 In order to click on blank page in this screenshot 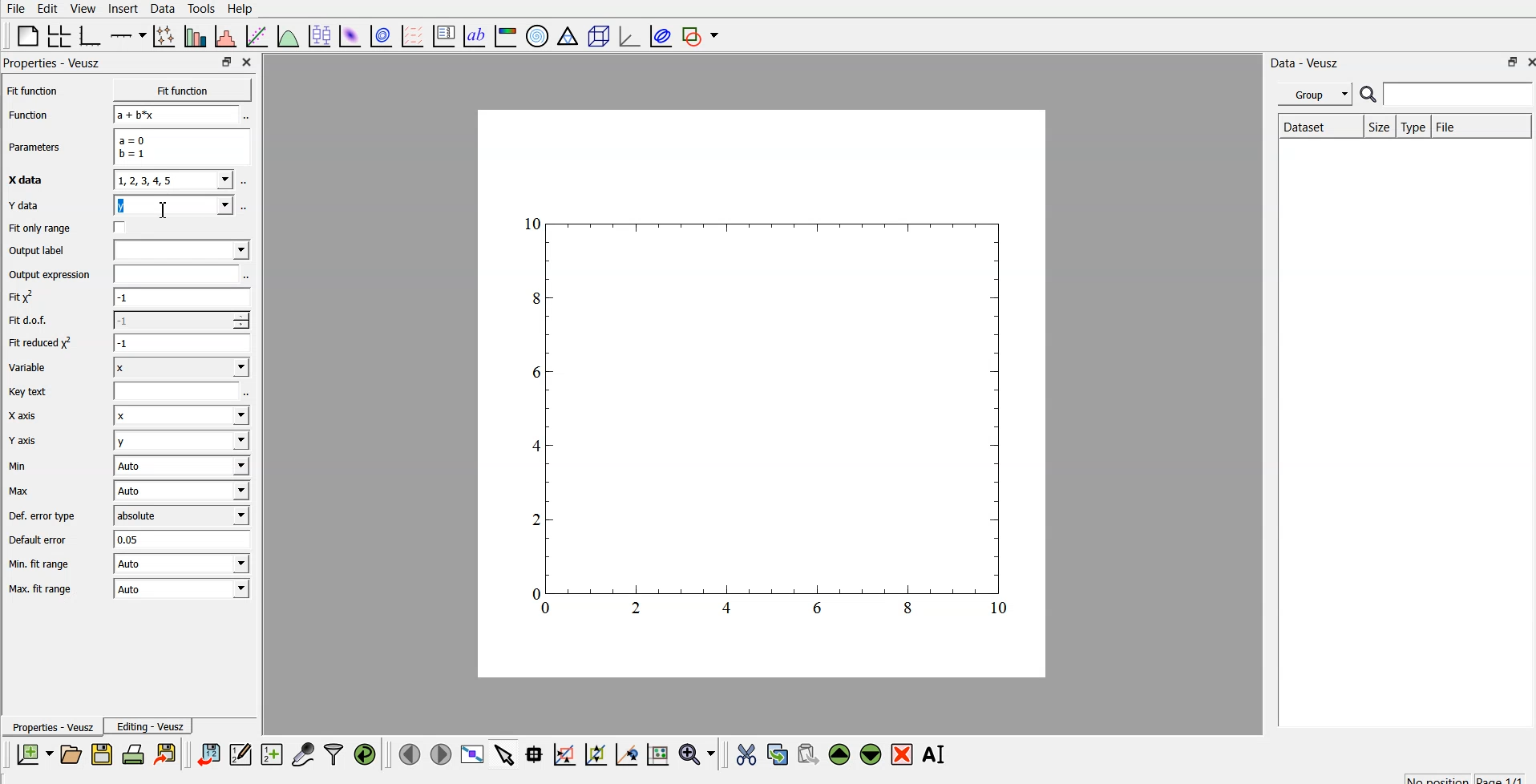, I will do `click(27, 34)`.